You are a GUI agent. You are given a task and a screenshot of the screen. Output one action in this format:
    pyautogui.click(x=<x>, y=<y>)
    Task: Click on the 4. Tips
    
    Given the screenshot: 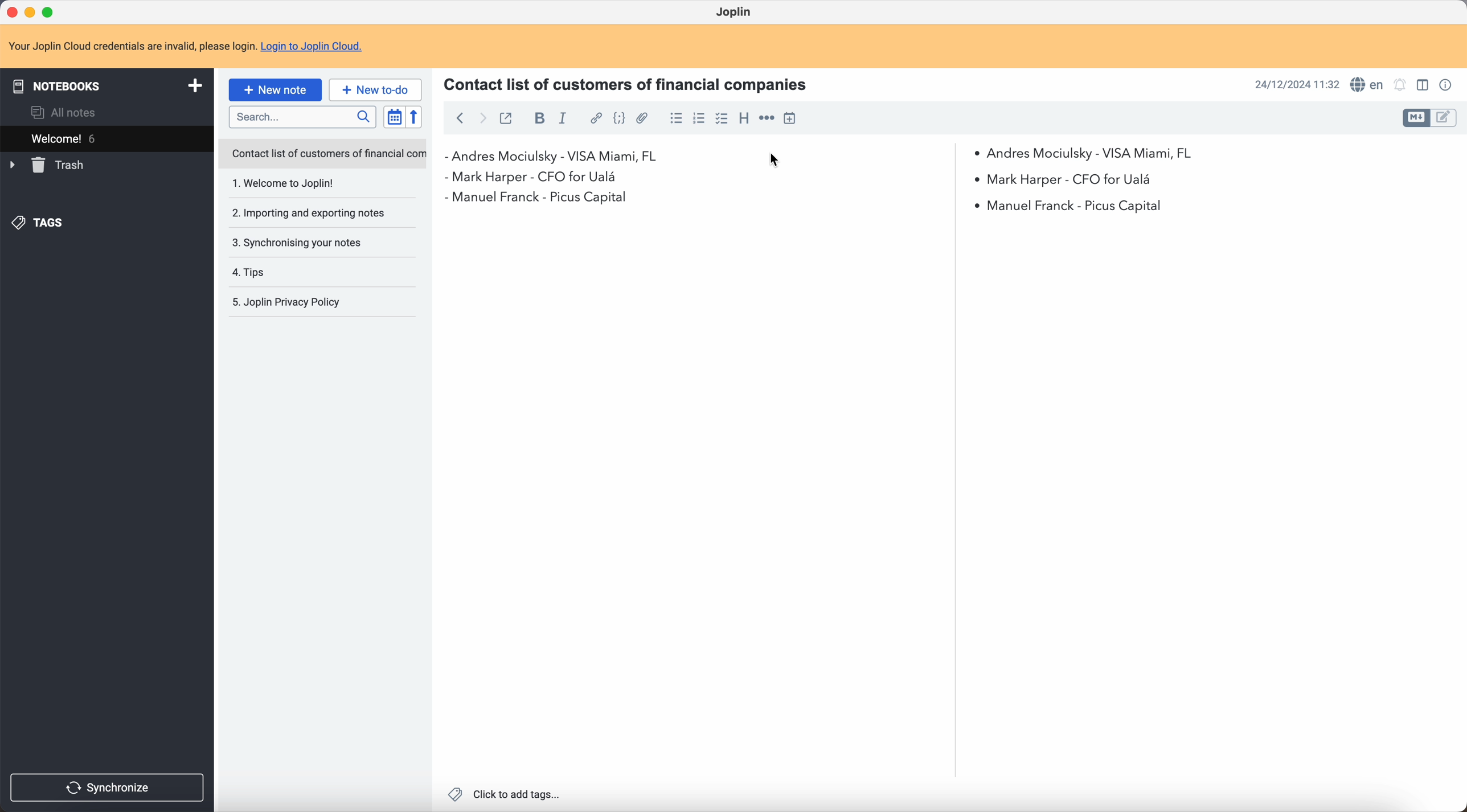 What is the action you would take?
    pyautogui.click(x=284, y=272)
    